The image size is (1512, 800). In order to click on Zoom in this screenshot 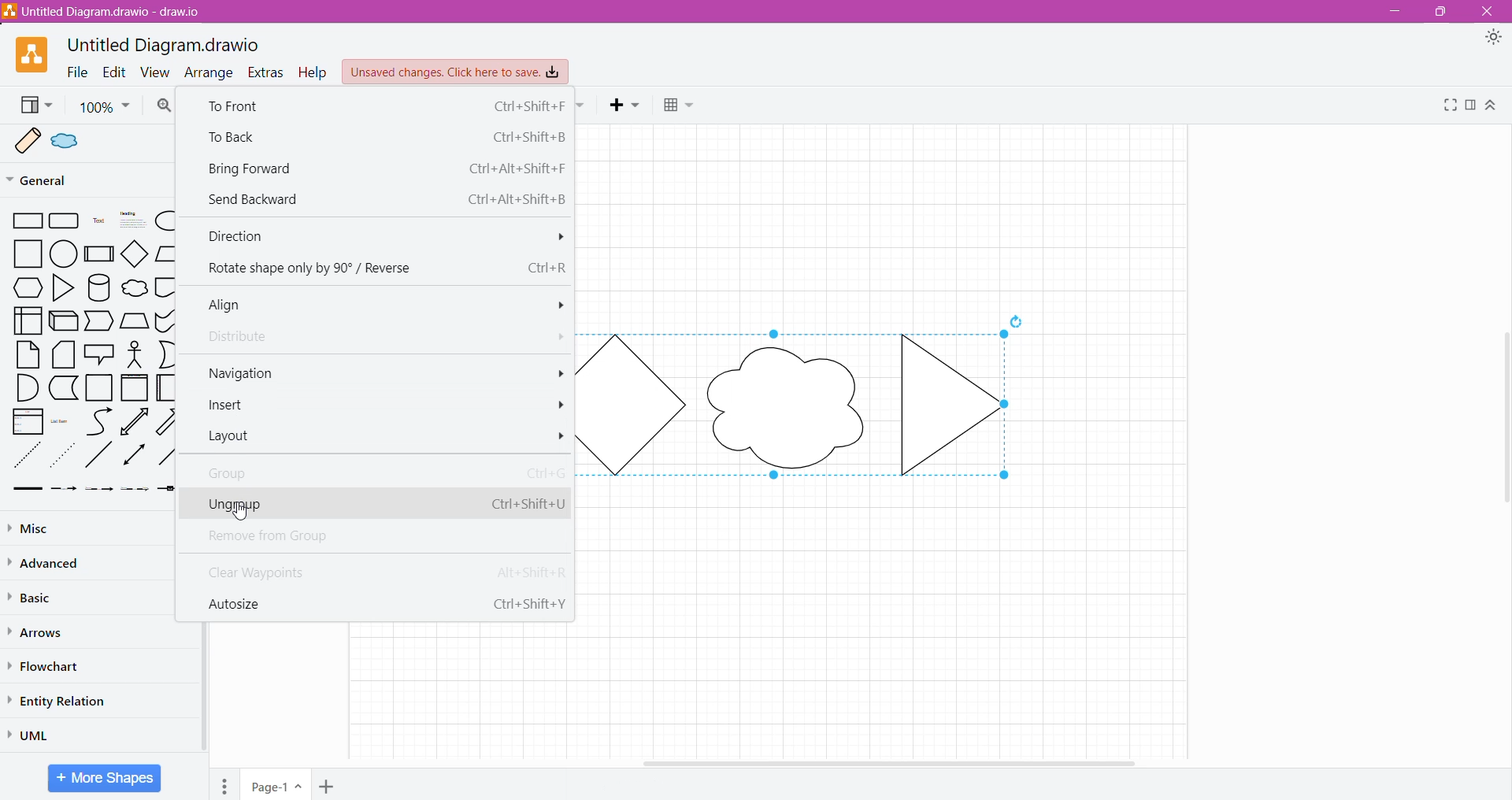, I will do `click(106, 107)`.